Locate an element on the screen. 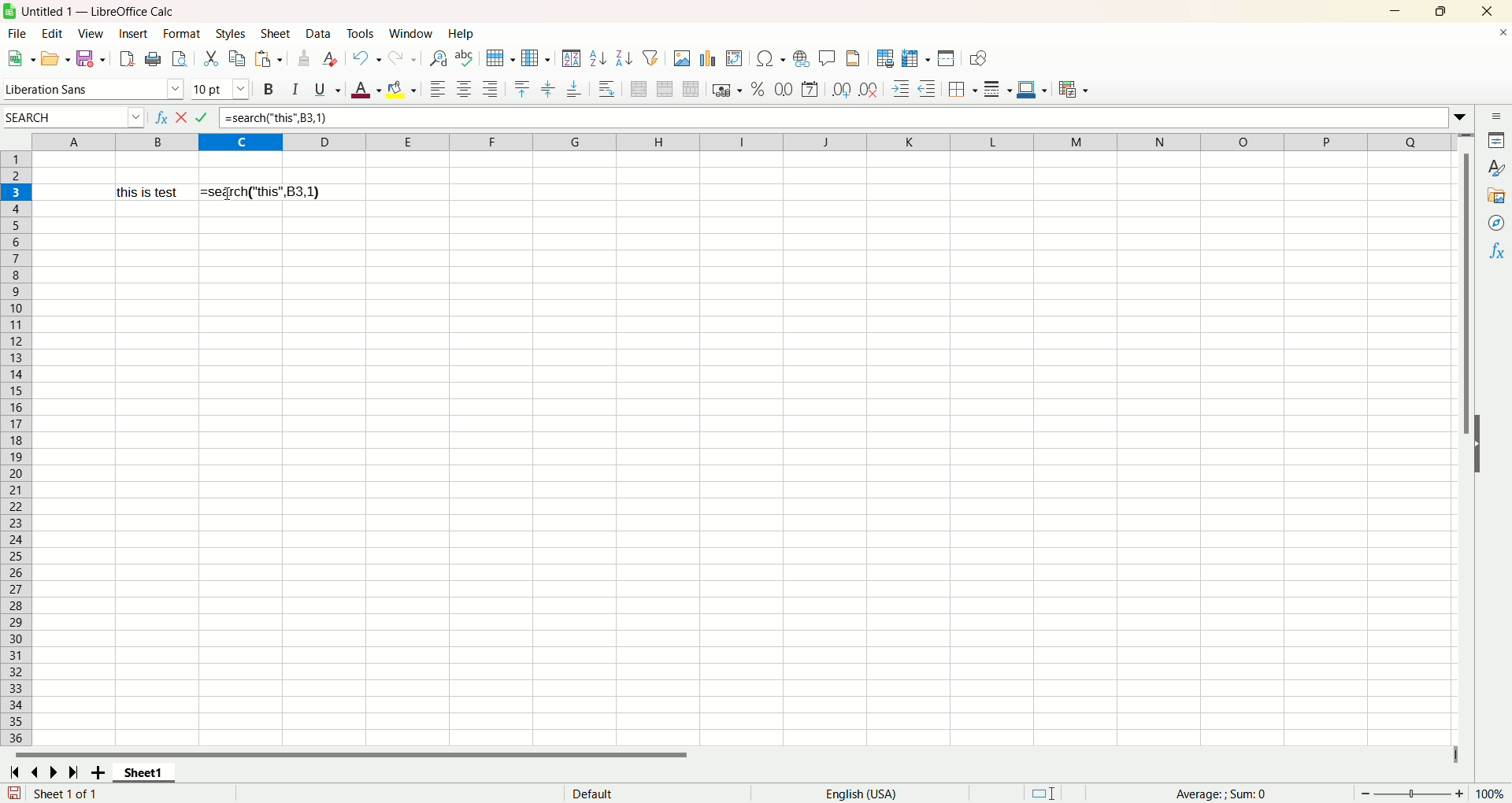  wrap text is located at coordinates (608, 90).